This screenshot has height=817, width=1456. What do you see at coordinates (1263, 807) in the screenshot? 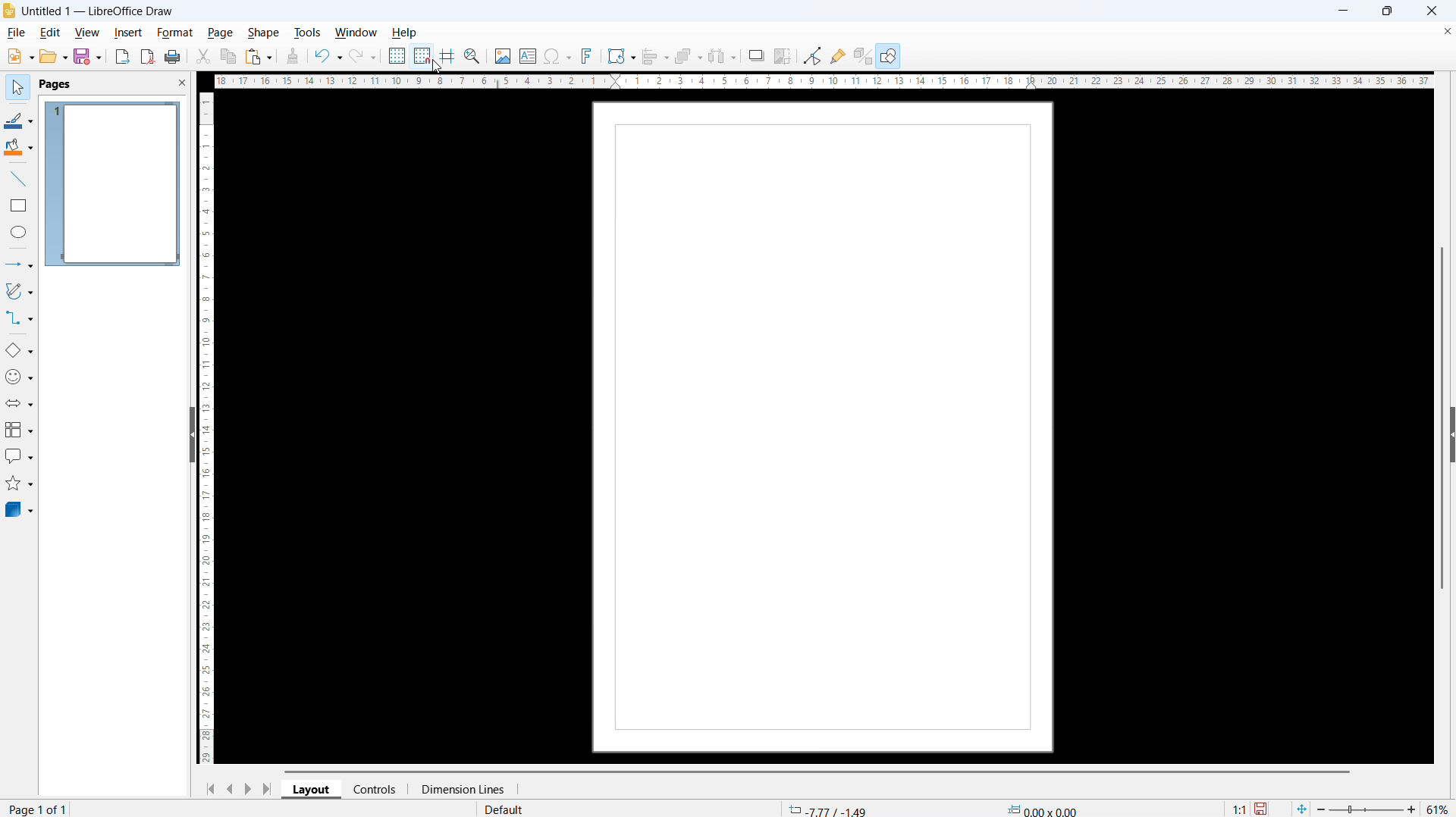
I see `save ` at bounding box center [1263, 807].